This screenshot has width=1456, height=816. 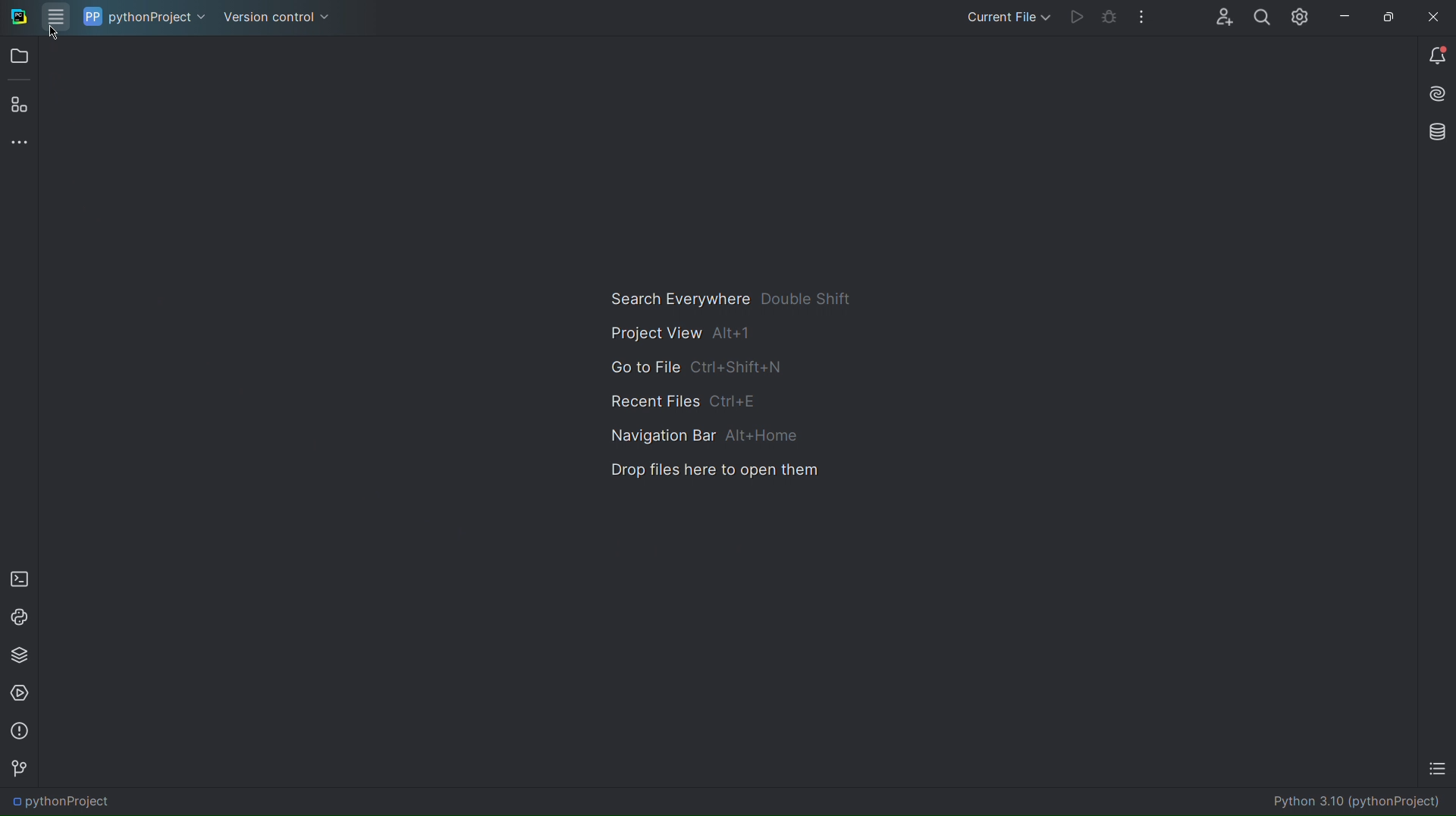 I want to click on Cursor, so click(x=54, y=37).